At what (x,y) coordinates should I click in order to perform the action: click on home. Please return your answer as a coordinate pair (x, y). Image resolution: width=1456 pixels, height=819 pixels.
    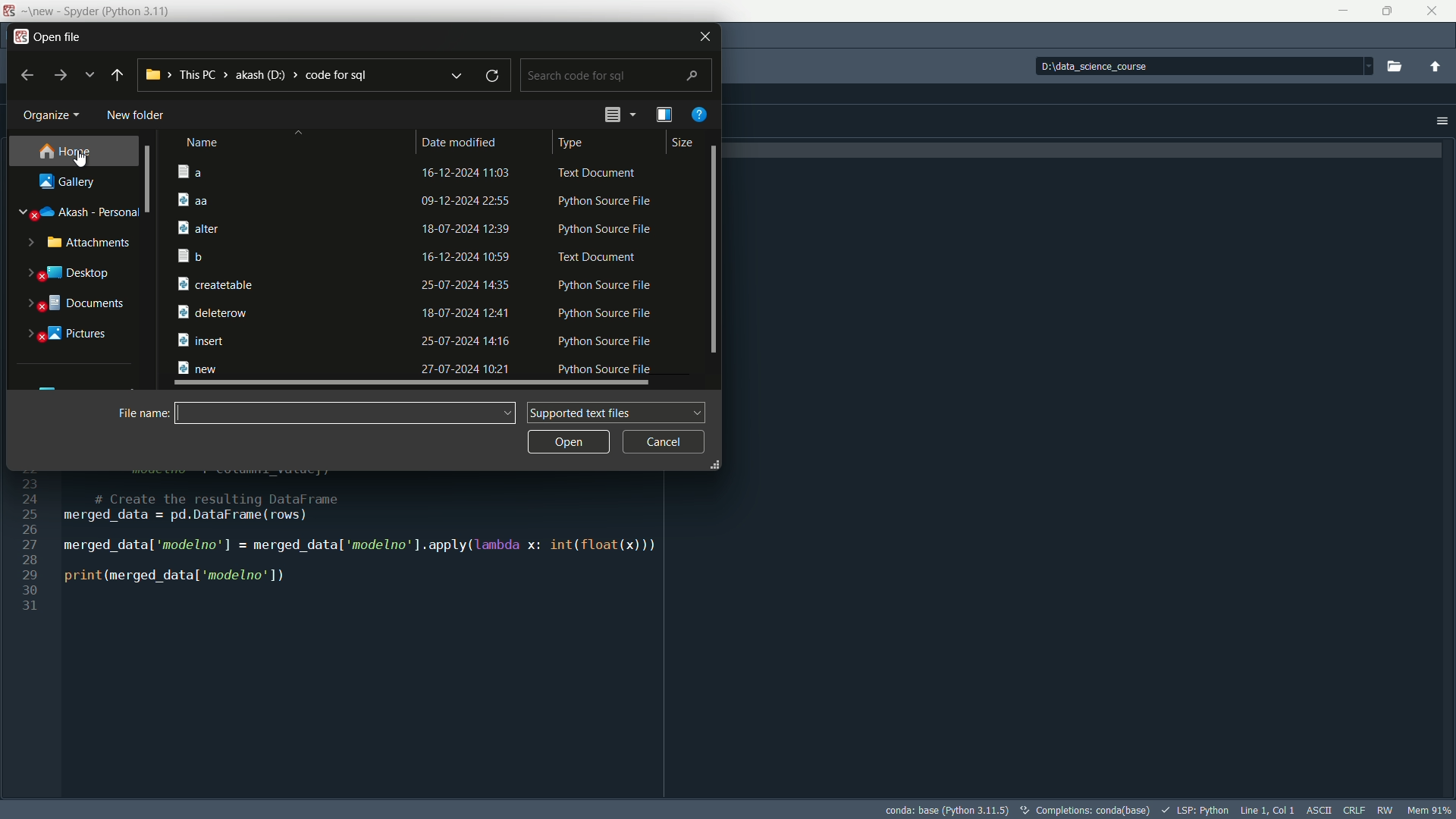
    Looking at the image, I should click on (67, 151).